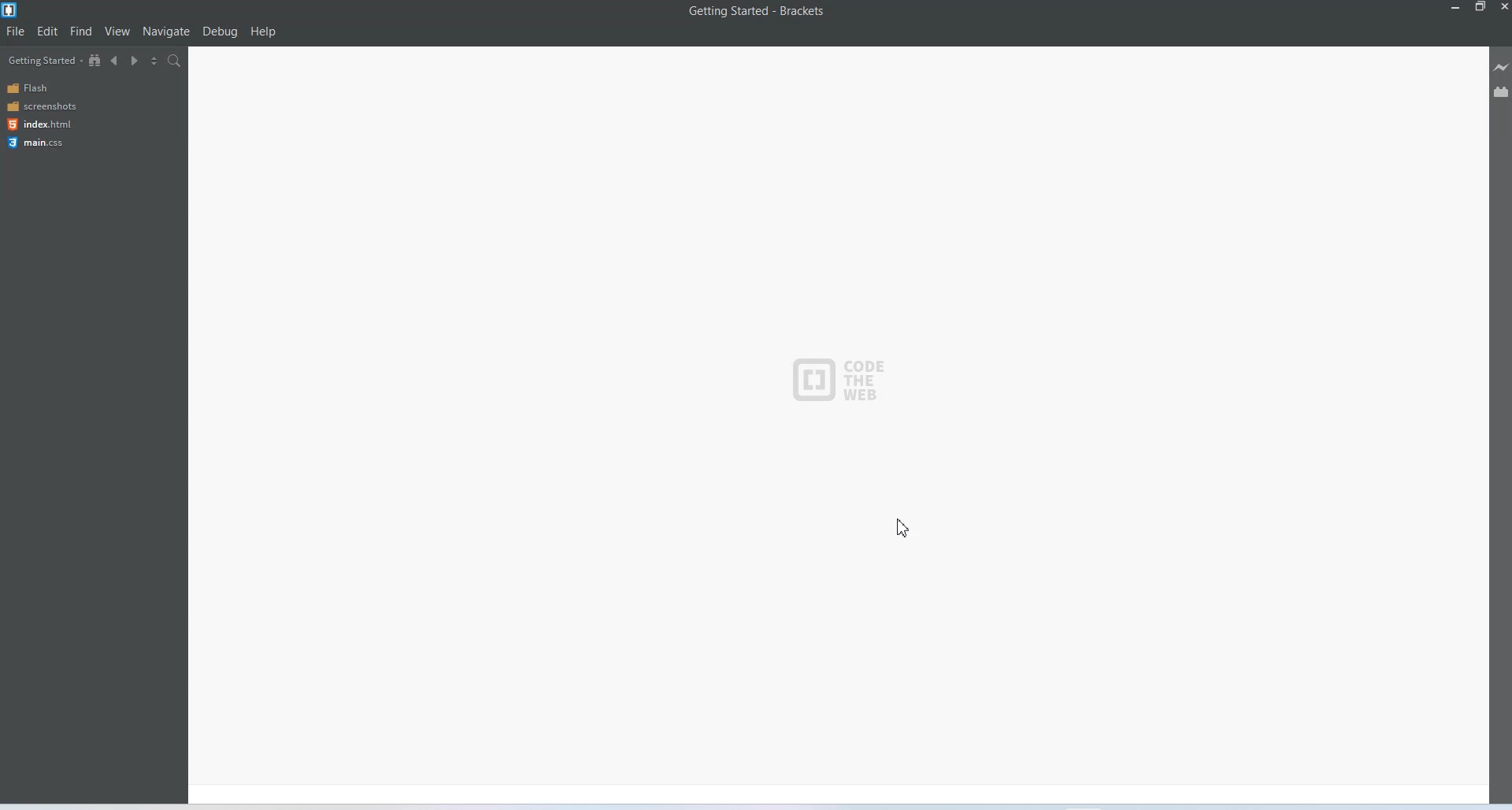 Image resolution: width=1512 pixels, height=810 pixels. I want to click on Live preview, so click(1503, 66).